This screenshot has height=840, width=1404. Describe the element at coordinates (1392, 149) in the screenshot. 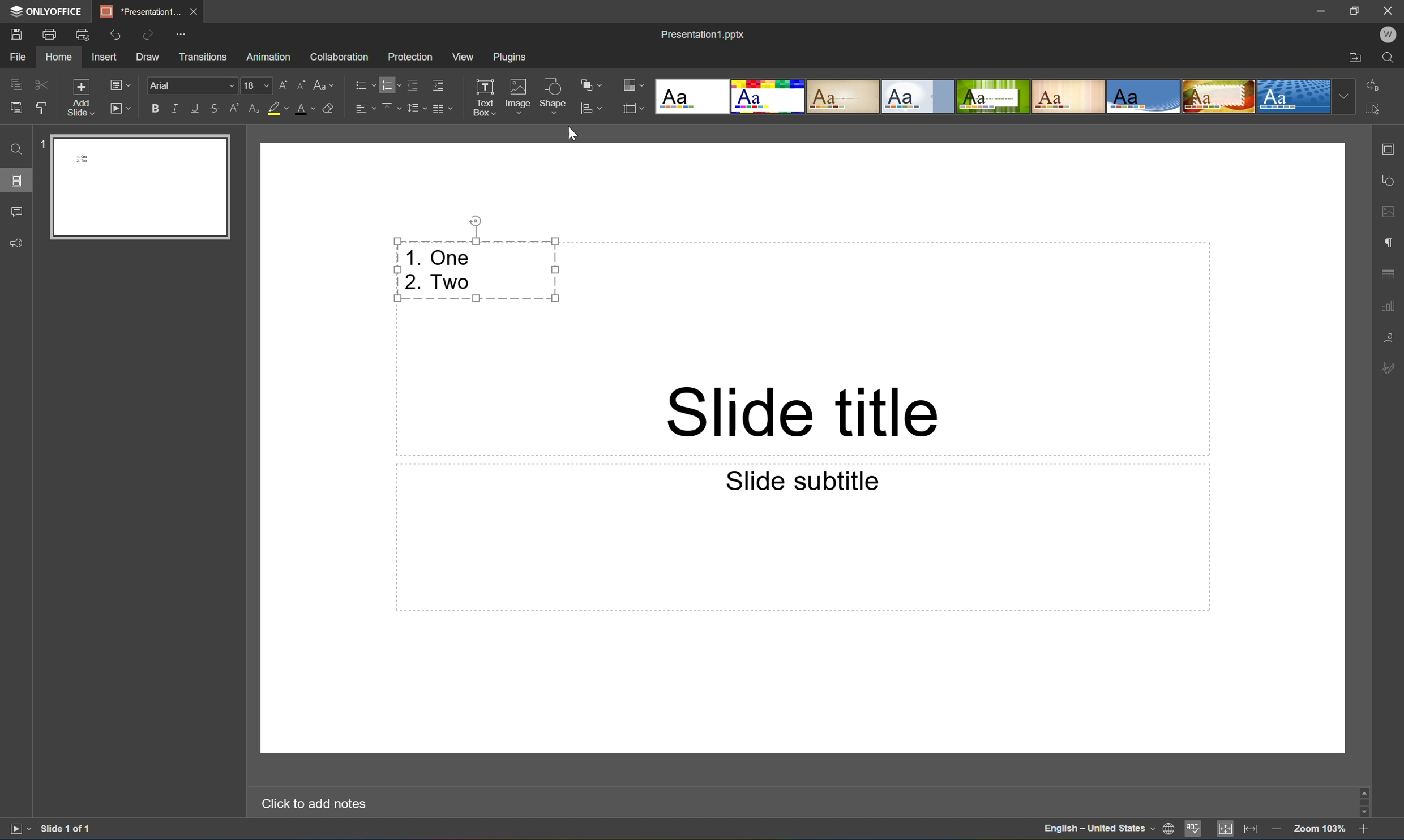

I see `Slide settings` at that location.